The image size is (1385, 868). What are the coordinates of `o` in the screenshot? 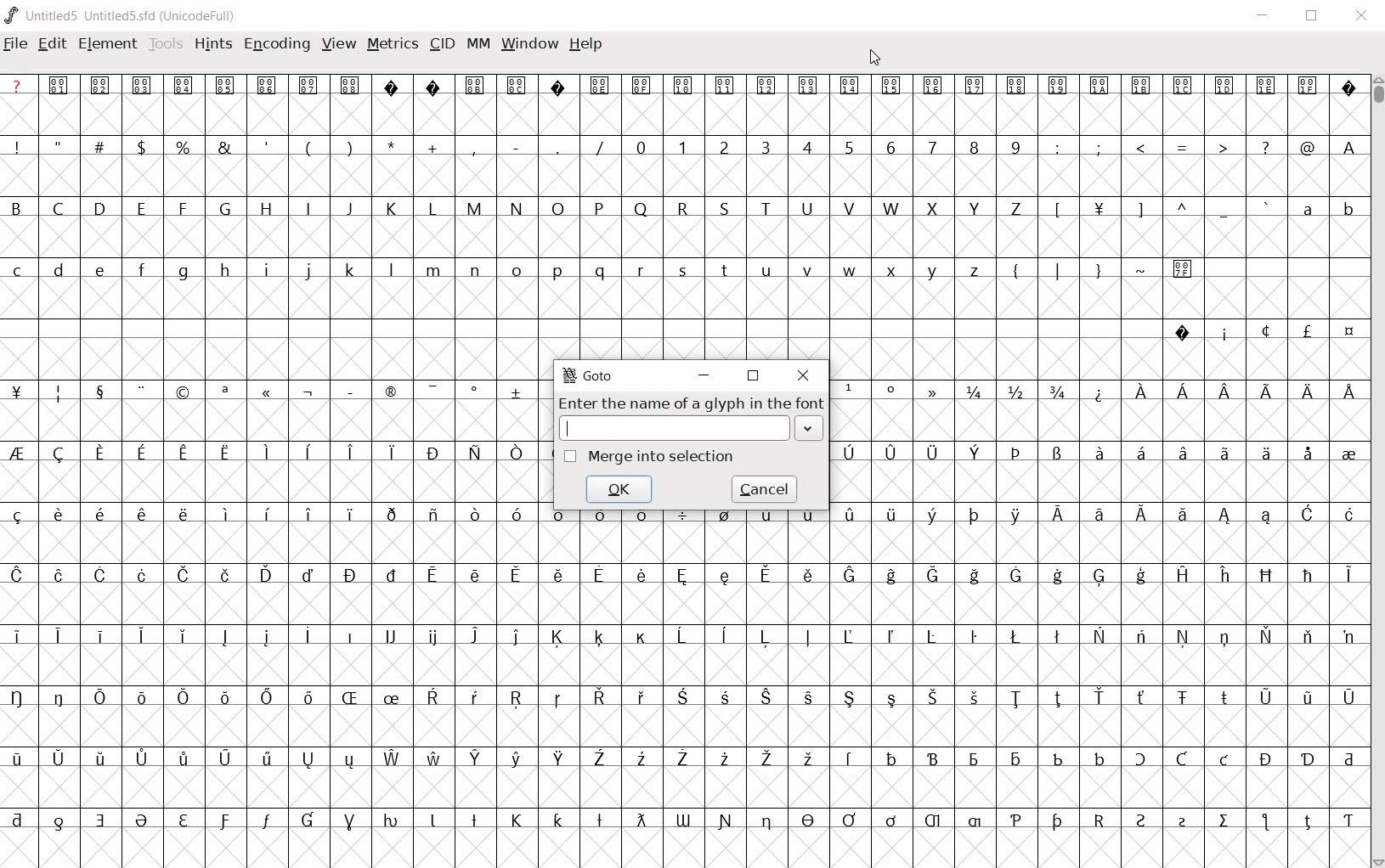 It's located at (517, 272).